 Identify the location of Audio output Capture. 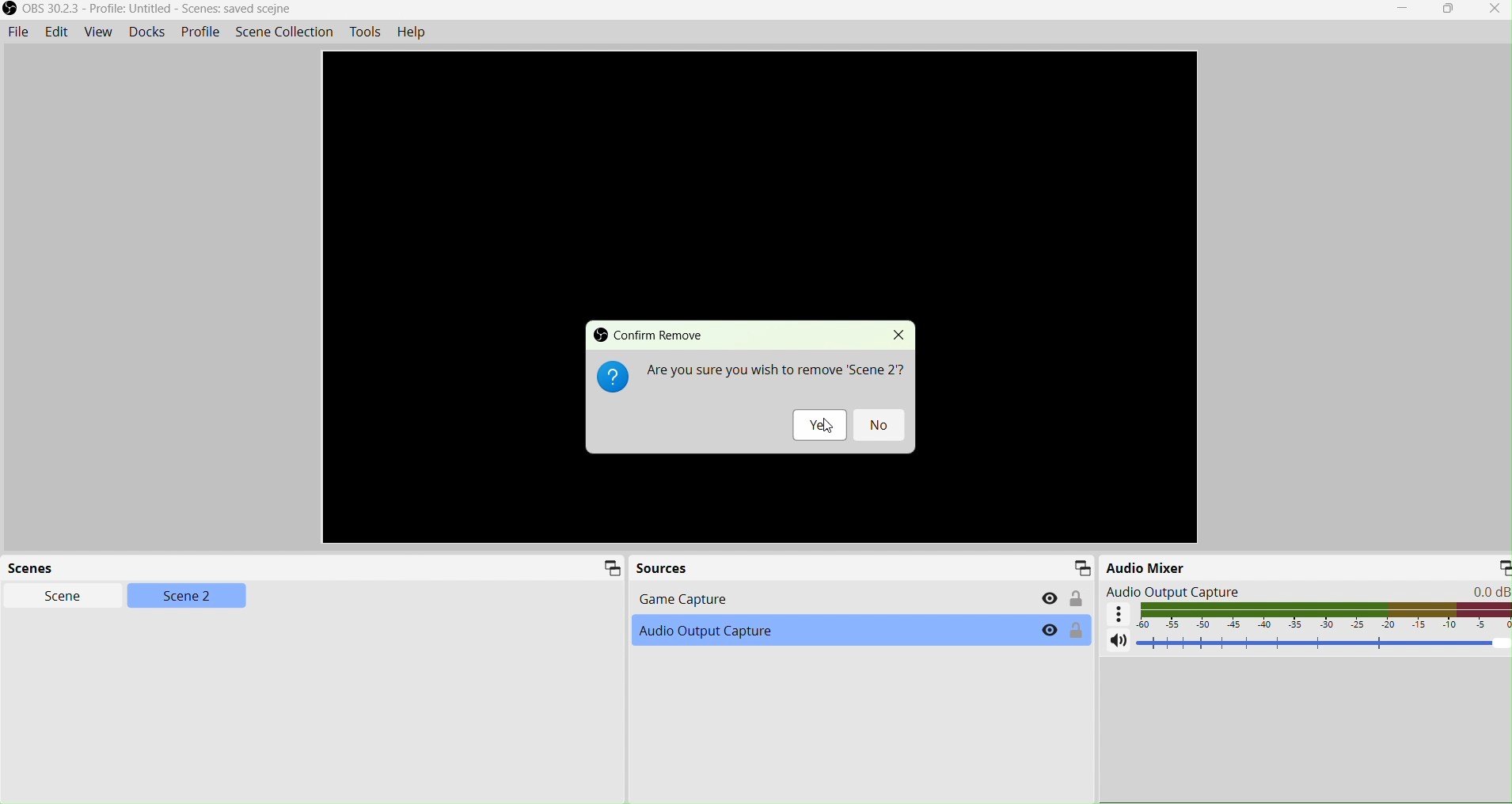
(1309, 591).